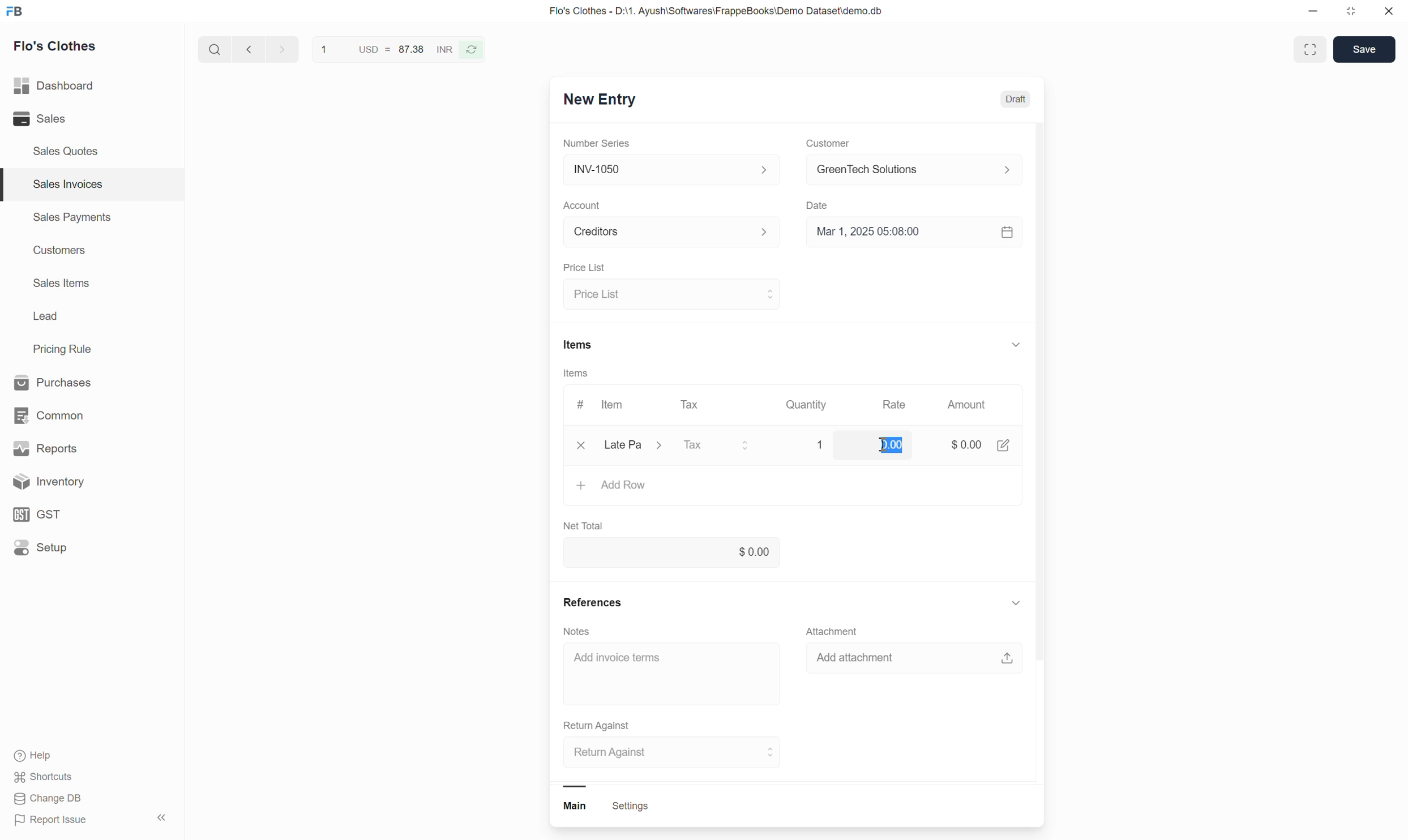  Describe the element at coordinates (45, 318) in the screenshot. I see `Lead` at that location.